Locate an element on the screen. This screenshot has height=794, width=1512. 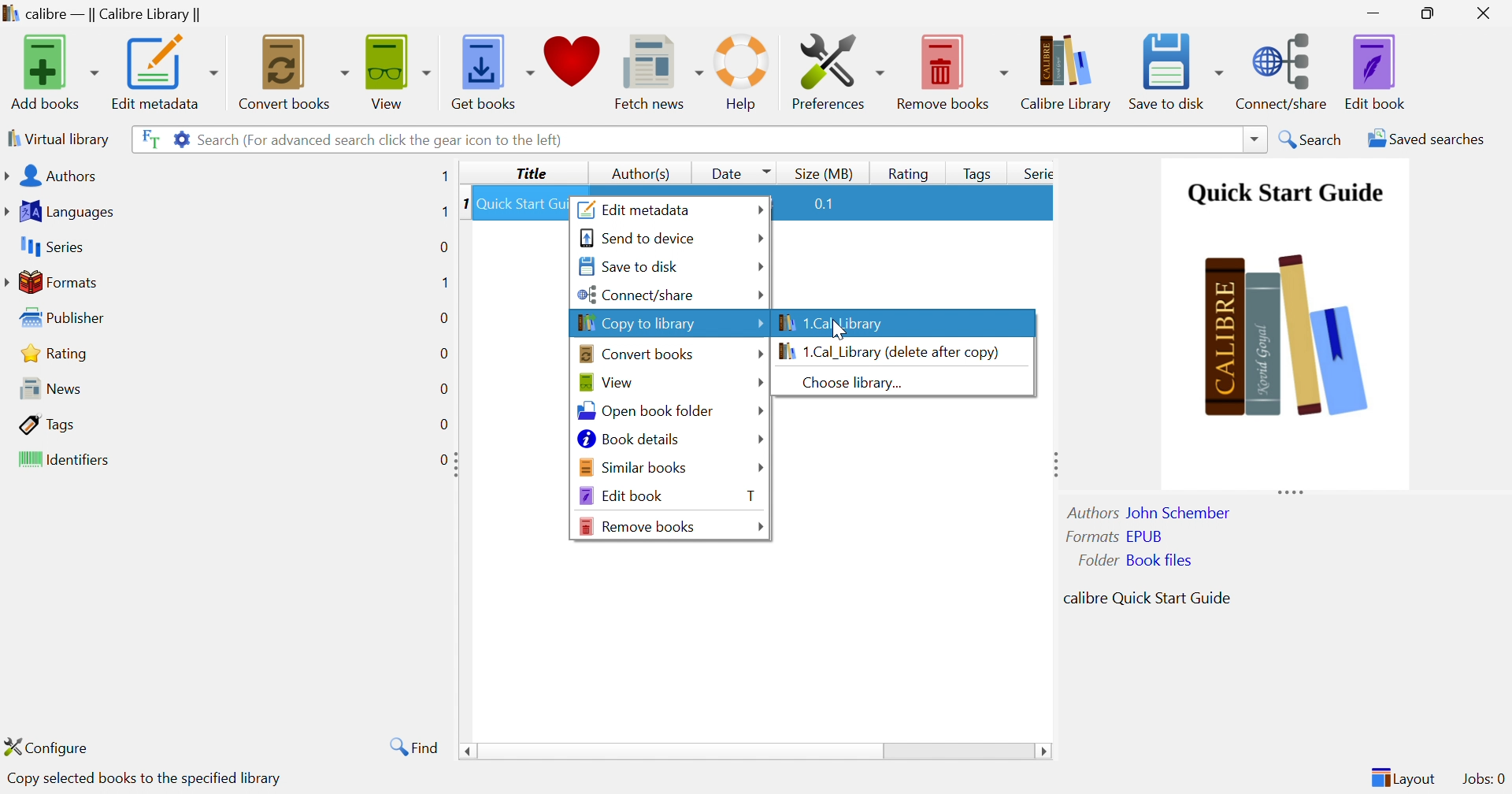
Layout is located at coordinates (1402, 777).